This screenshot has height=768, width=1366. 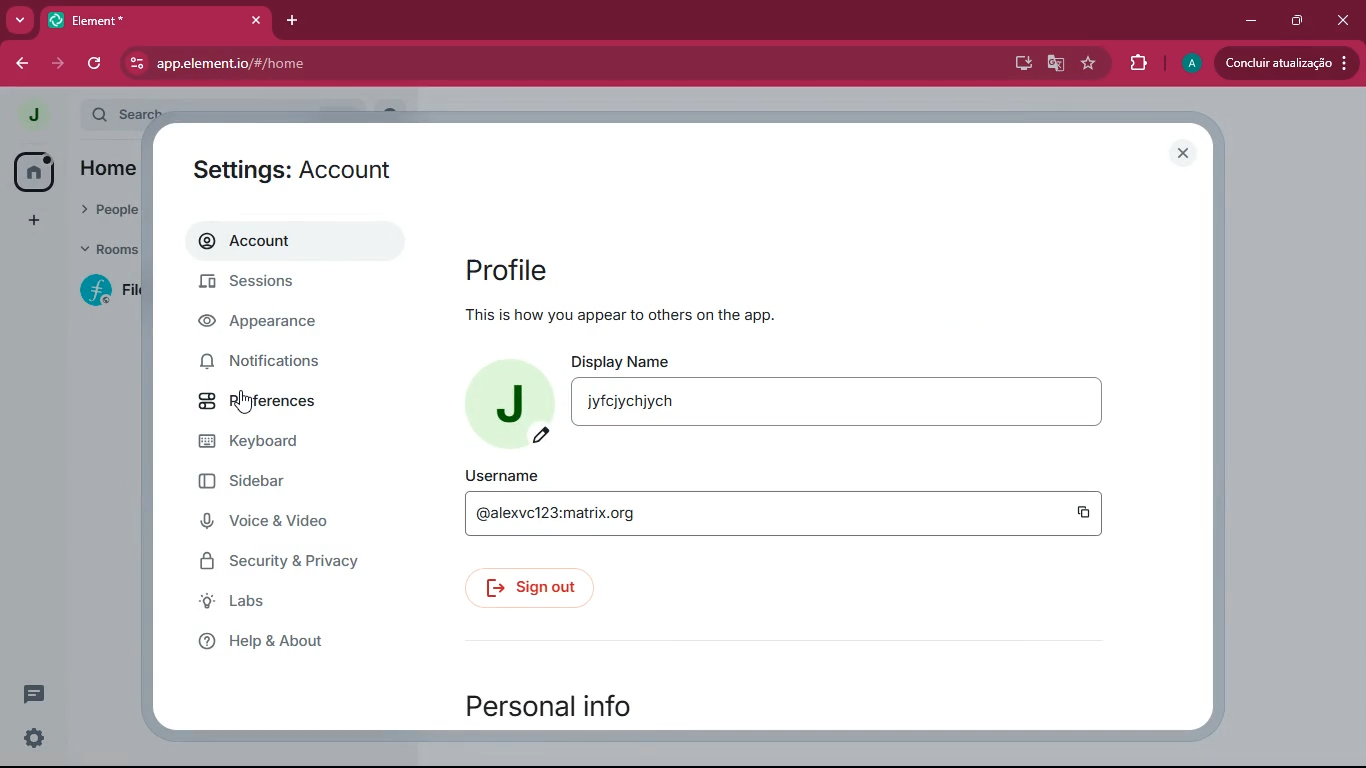 I want to click on add, so click(x=34, y=223).